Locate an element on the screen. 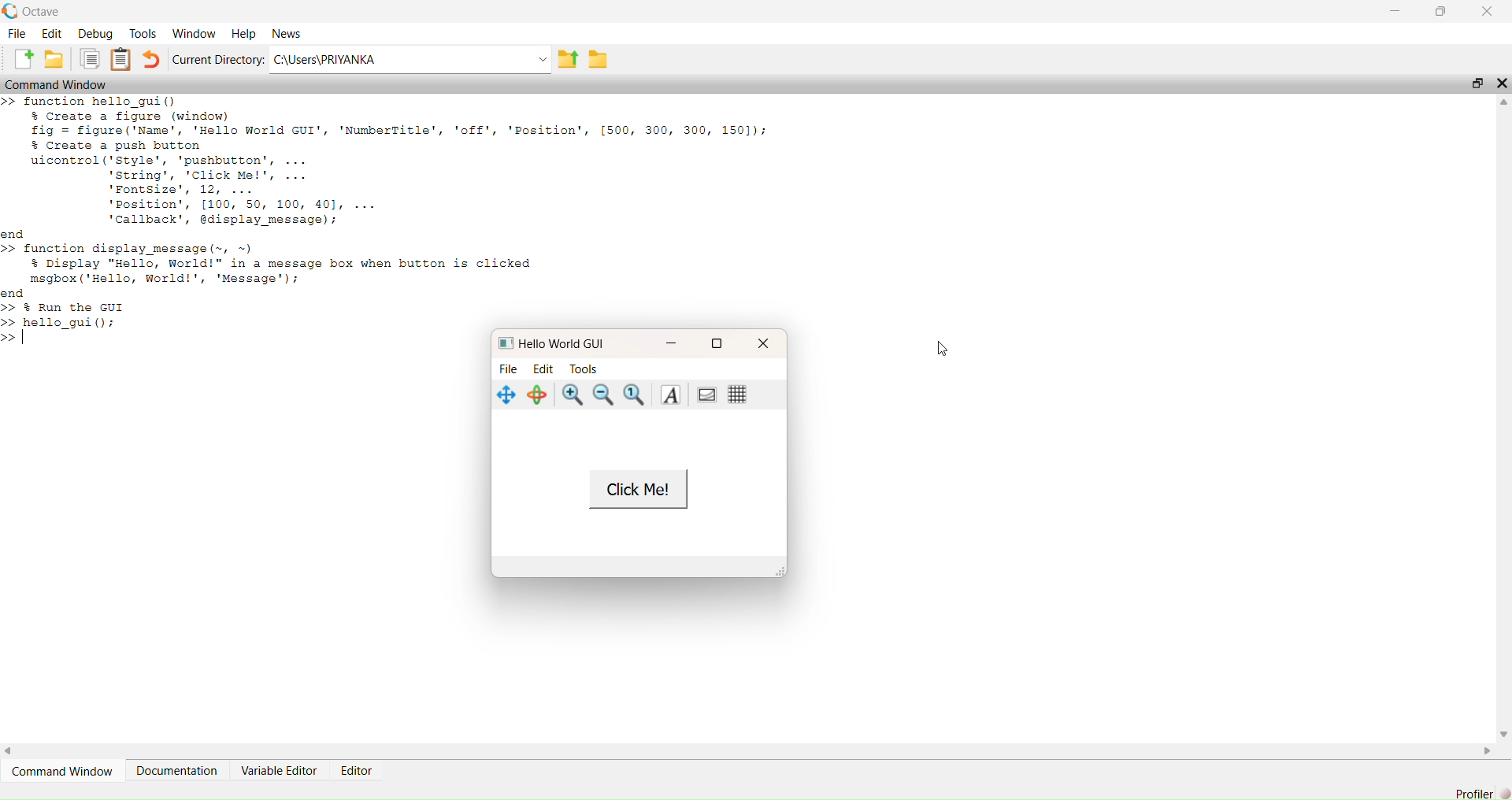 The width and height of the screenshot is (1512, 800). Editor is located at coordinates (354, 769).